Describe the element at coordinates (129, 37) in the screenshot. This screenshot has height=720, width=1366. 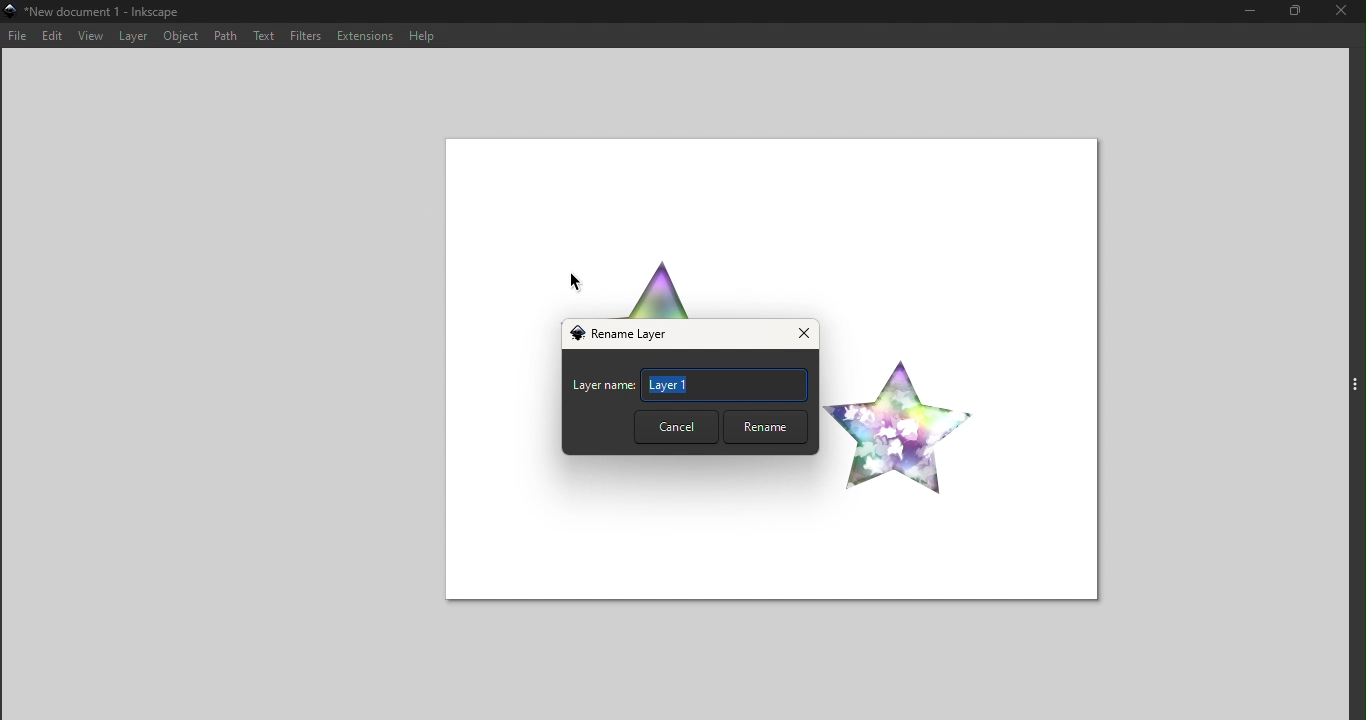
I see `layers` at that location.